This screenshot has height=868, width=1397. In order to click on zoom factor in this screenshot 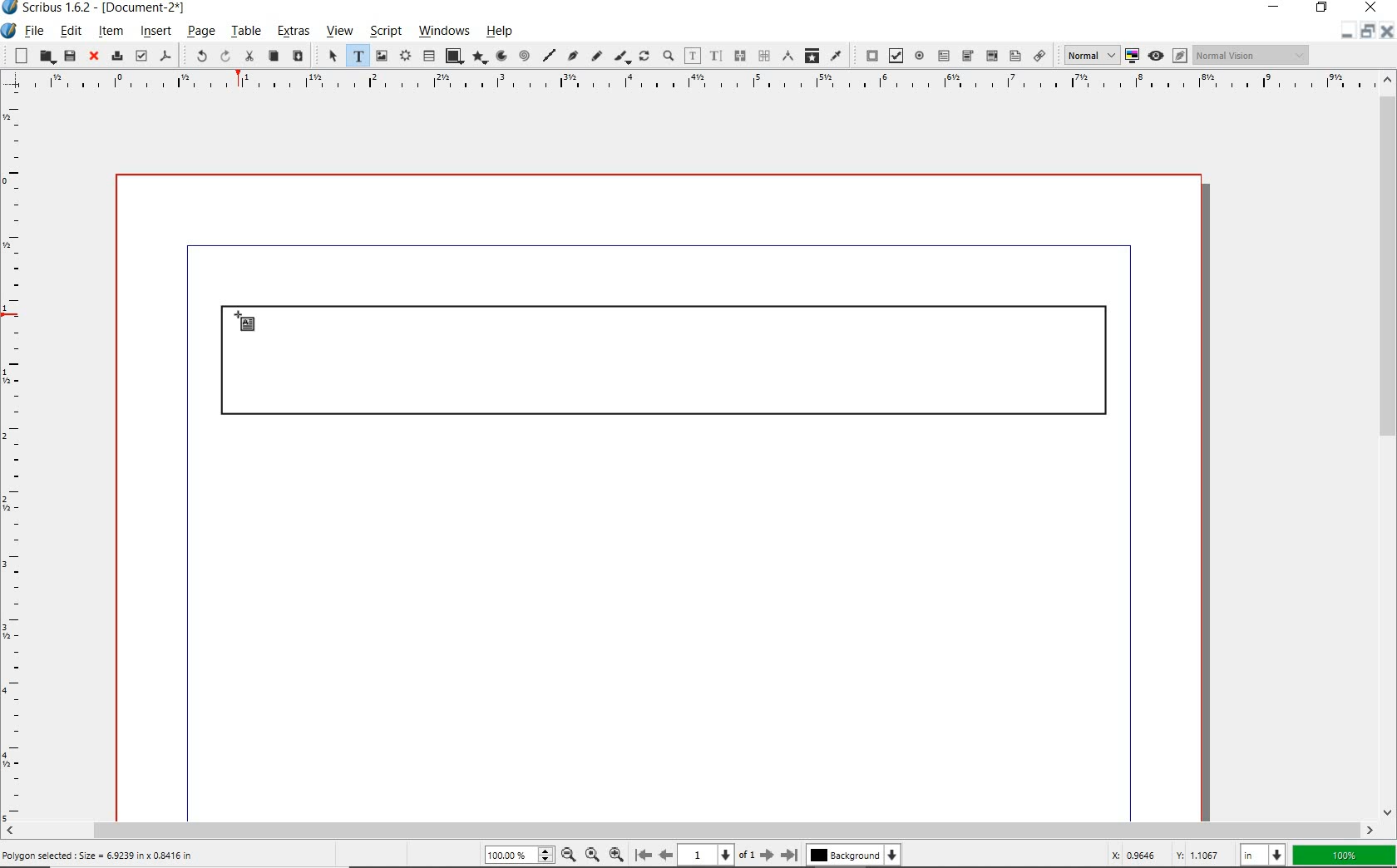, I will do `click(1344, 856)`.